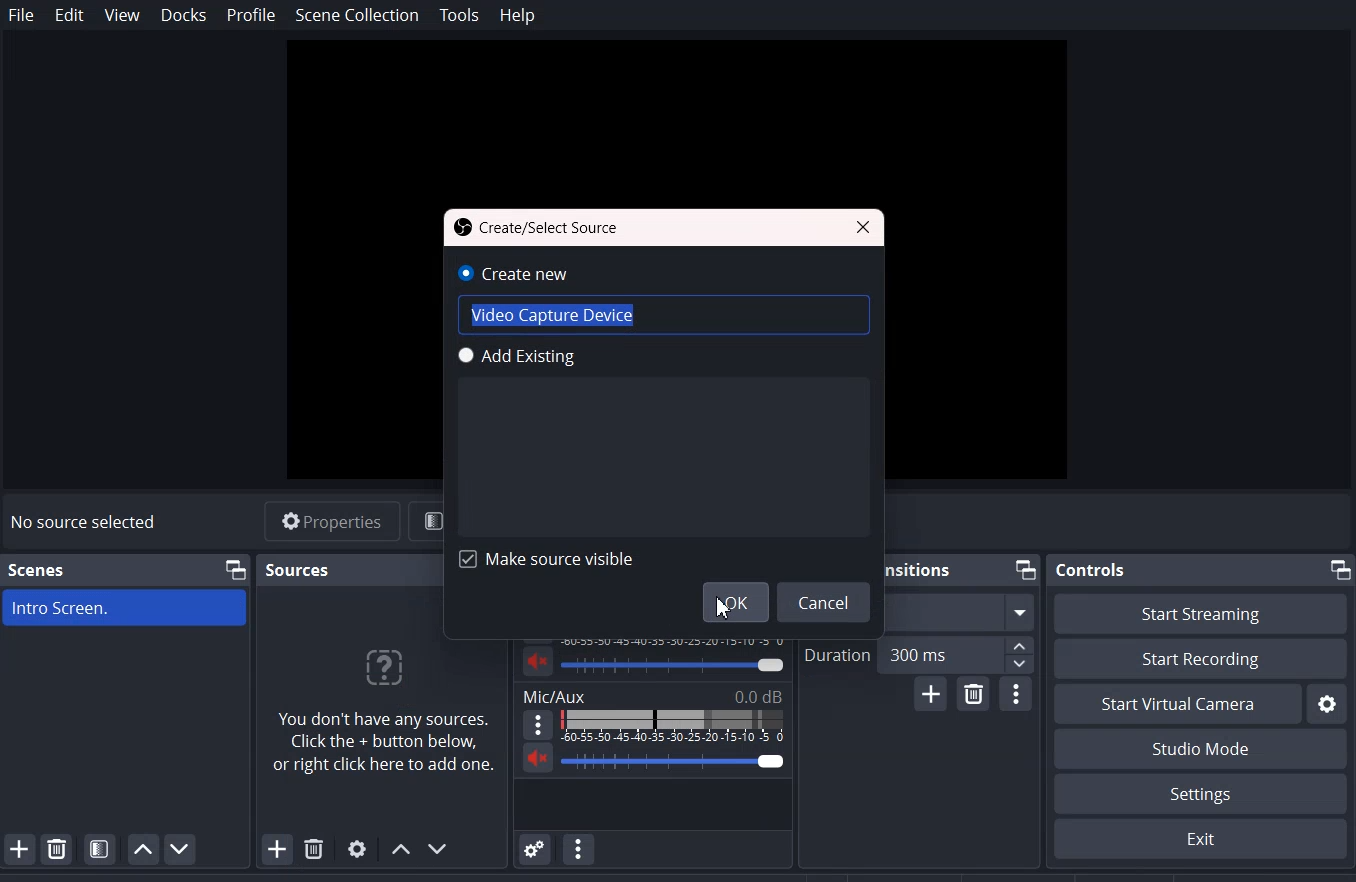  Describe the element at coordinates (538, 227) in the screenshot. I see `Create/Select source` at that location.